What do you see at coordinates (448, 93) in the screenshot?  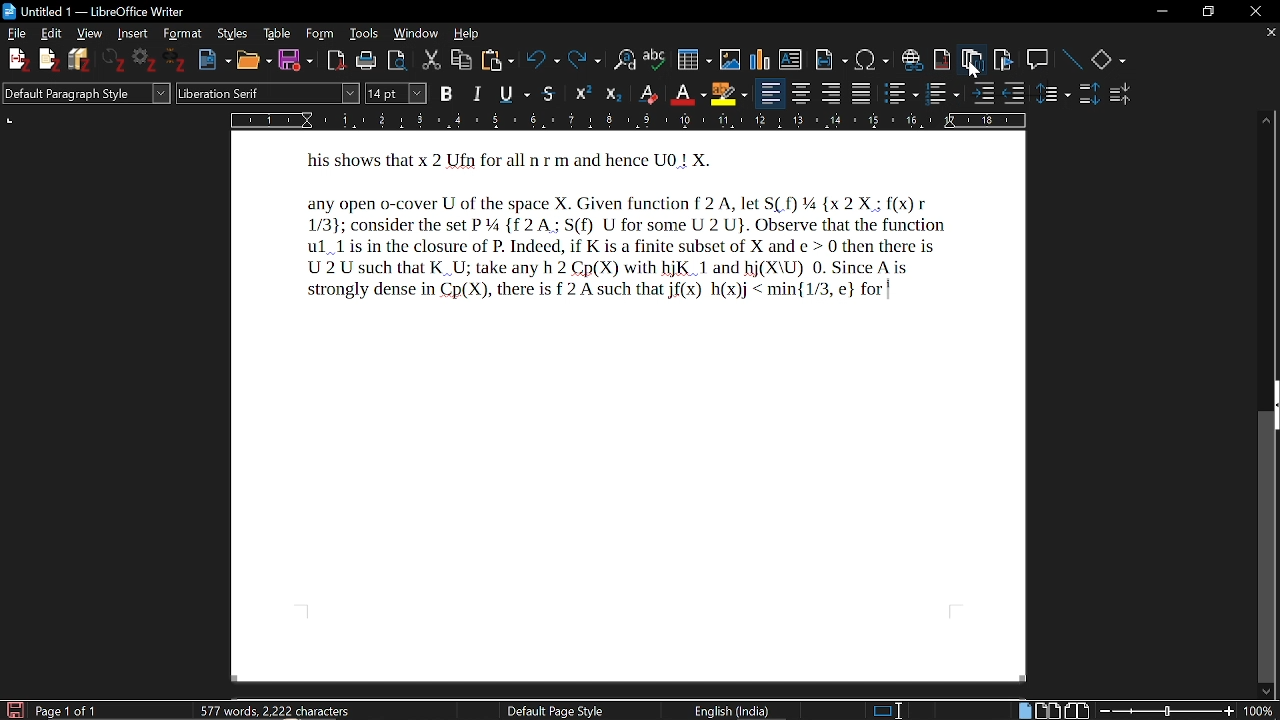 I see `Bold` at bounding box center [448, 93].